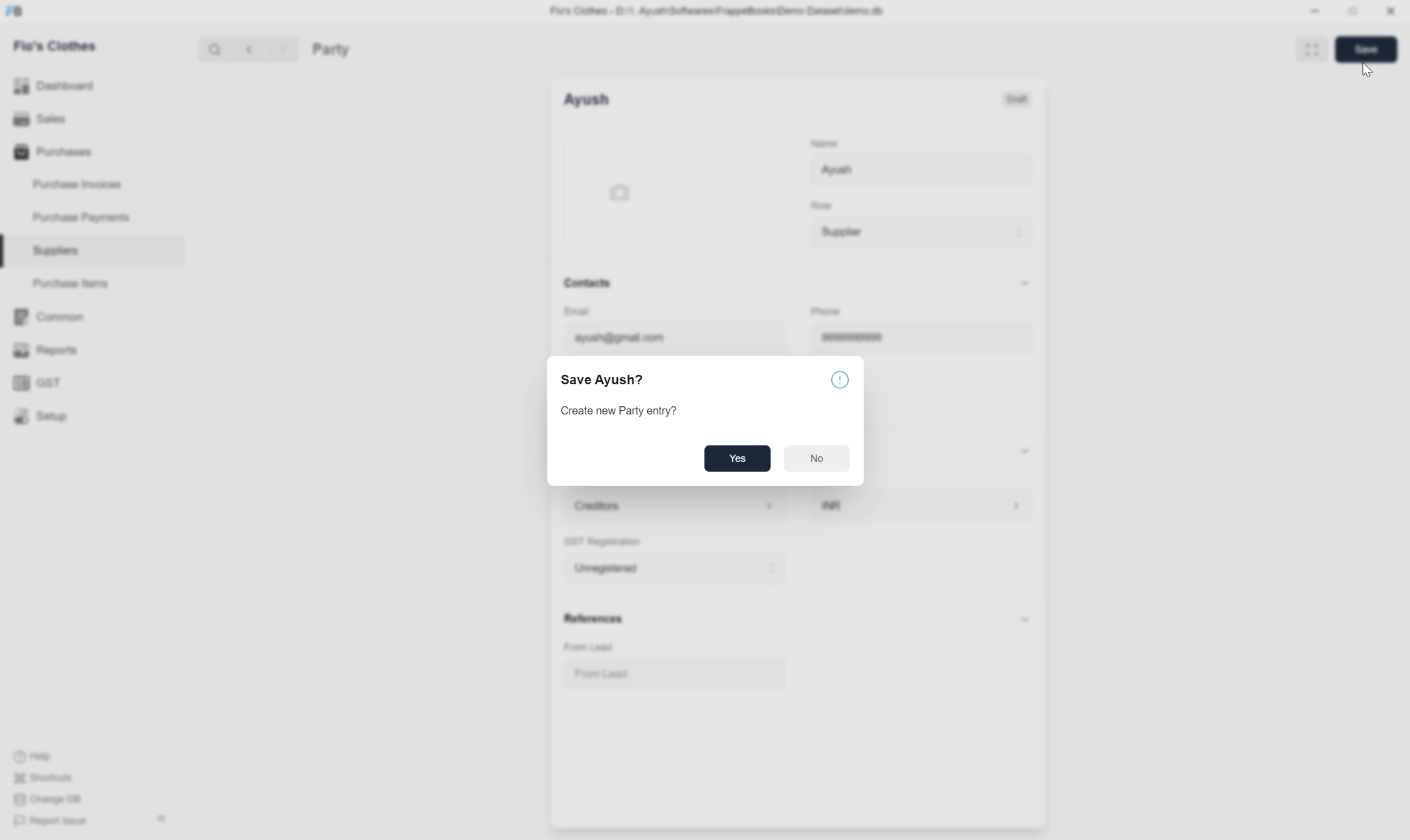 This screenshot has height=840, width=1410. I want to click on Create new Party entry?, so click(618, 411).